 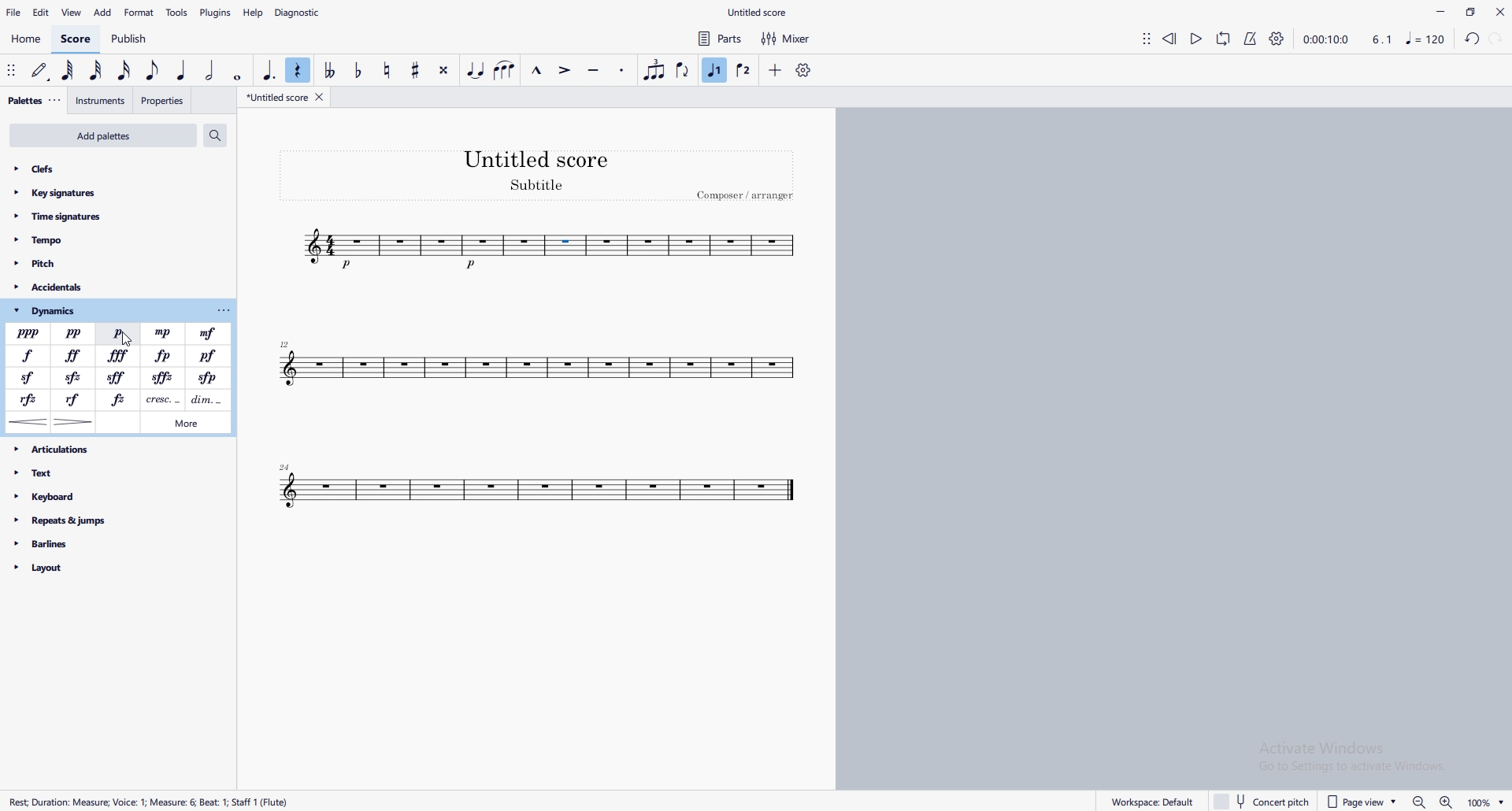 I want to click on fortepiano, so click(x=164, y=356).